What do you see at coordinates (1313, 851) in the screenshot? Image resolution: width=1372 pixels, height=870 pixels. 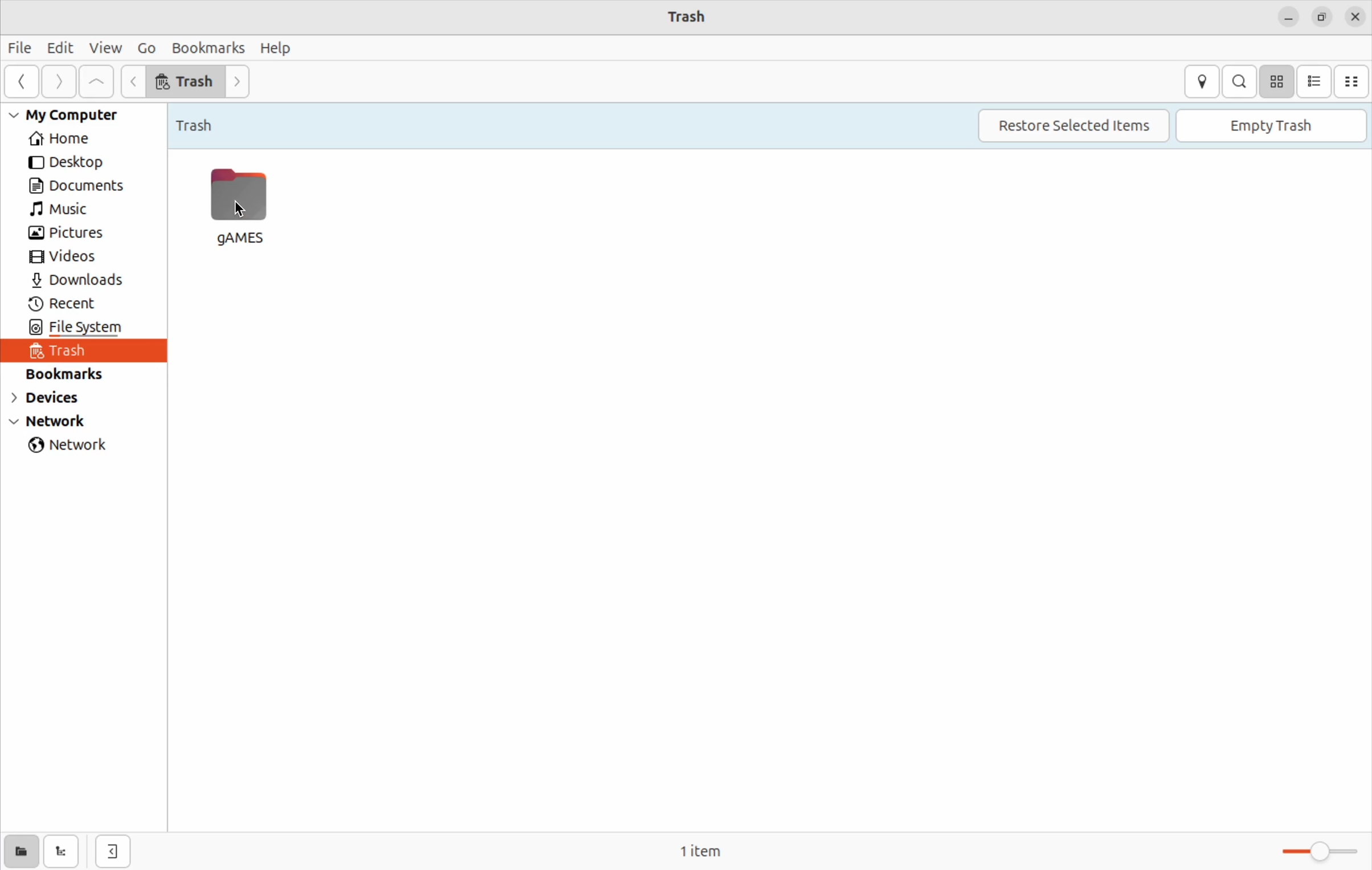 I see `toggle bar` at bounding box center [1313, 851].